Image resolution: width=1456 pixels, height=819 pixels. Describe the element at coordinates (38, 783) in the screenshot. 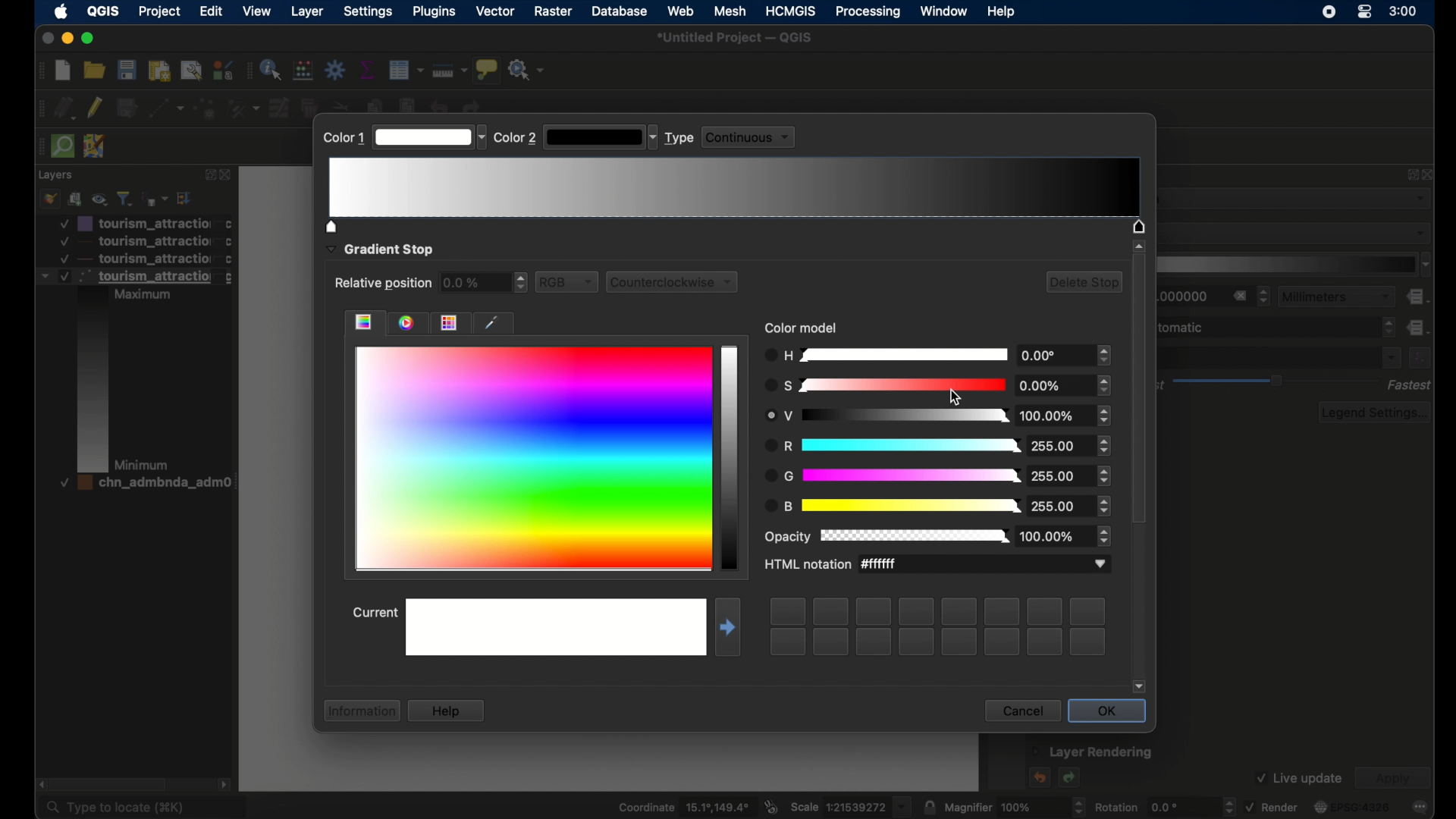

I see `scroll right arrow` at that location.